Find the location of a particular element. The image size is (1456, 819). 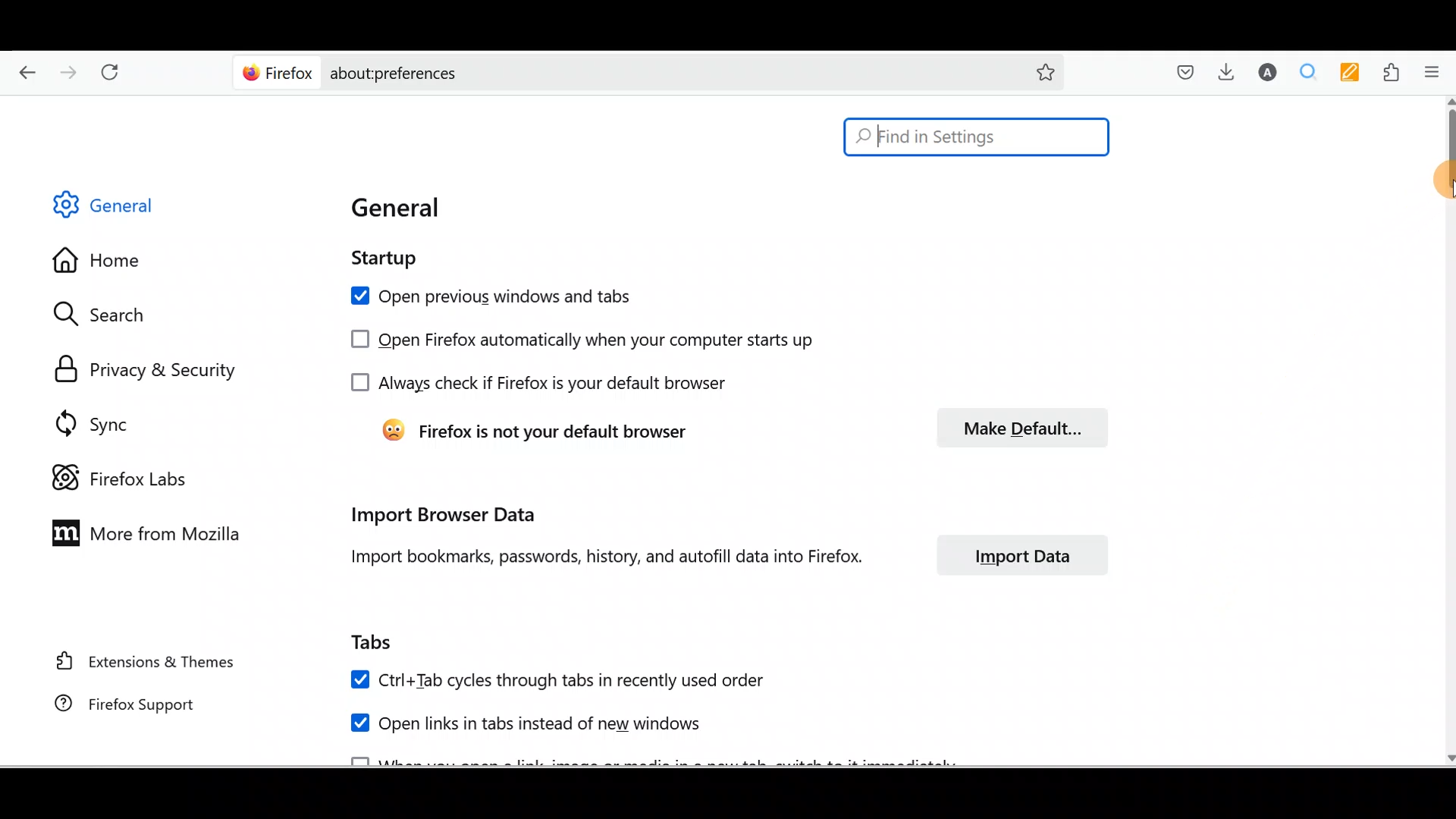

Open links in tabs instead of new windows is located at coordinates (521, 722).